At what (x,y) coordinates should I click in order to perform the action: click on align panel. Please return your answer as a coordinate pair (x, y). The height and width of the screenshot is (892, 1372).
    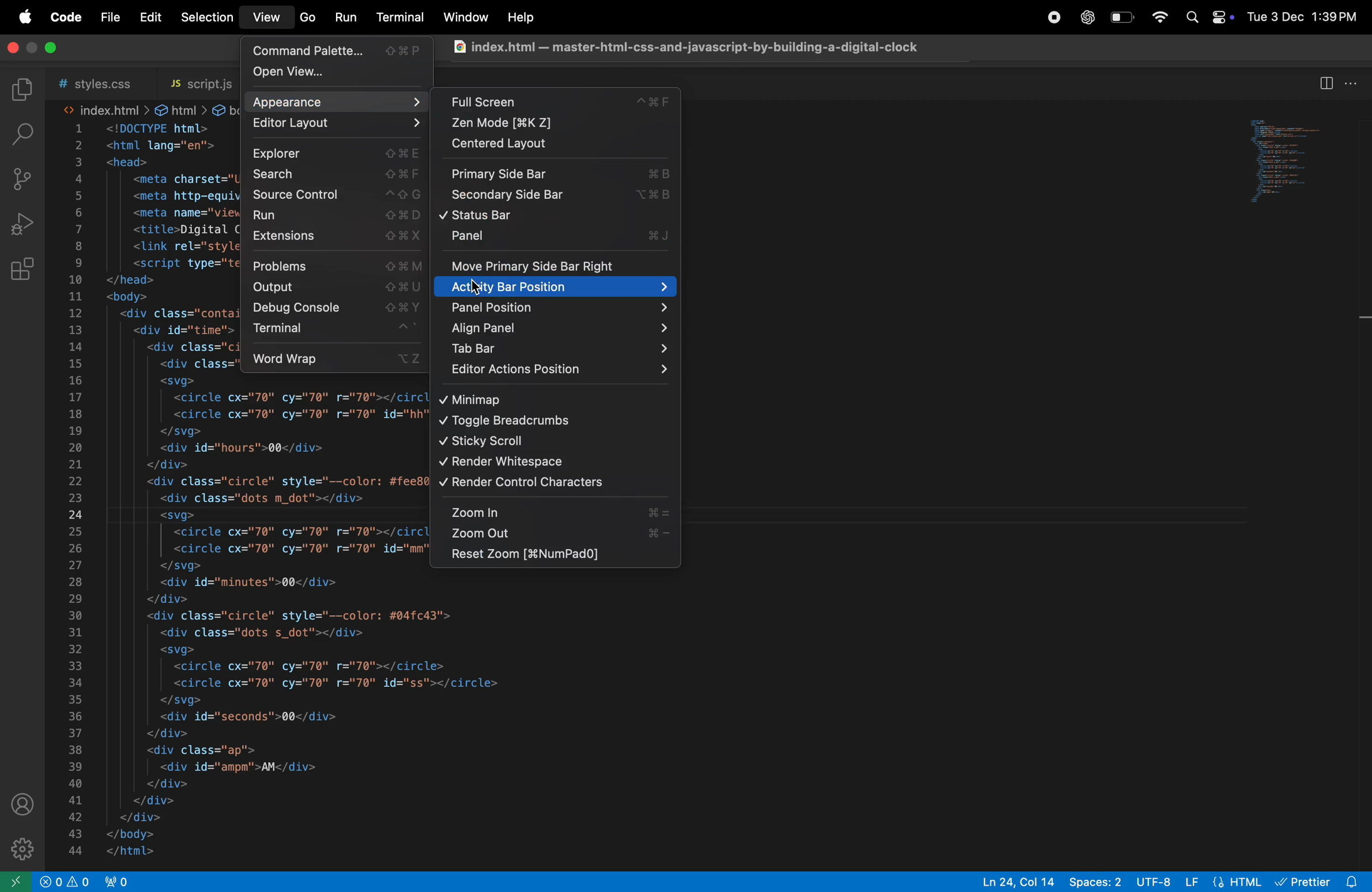
    Looking at the image, I should click on (559, 328).